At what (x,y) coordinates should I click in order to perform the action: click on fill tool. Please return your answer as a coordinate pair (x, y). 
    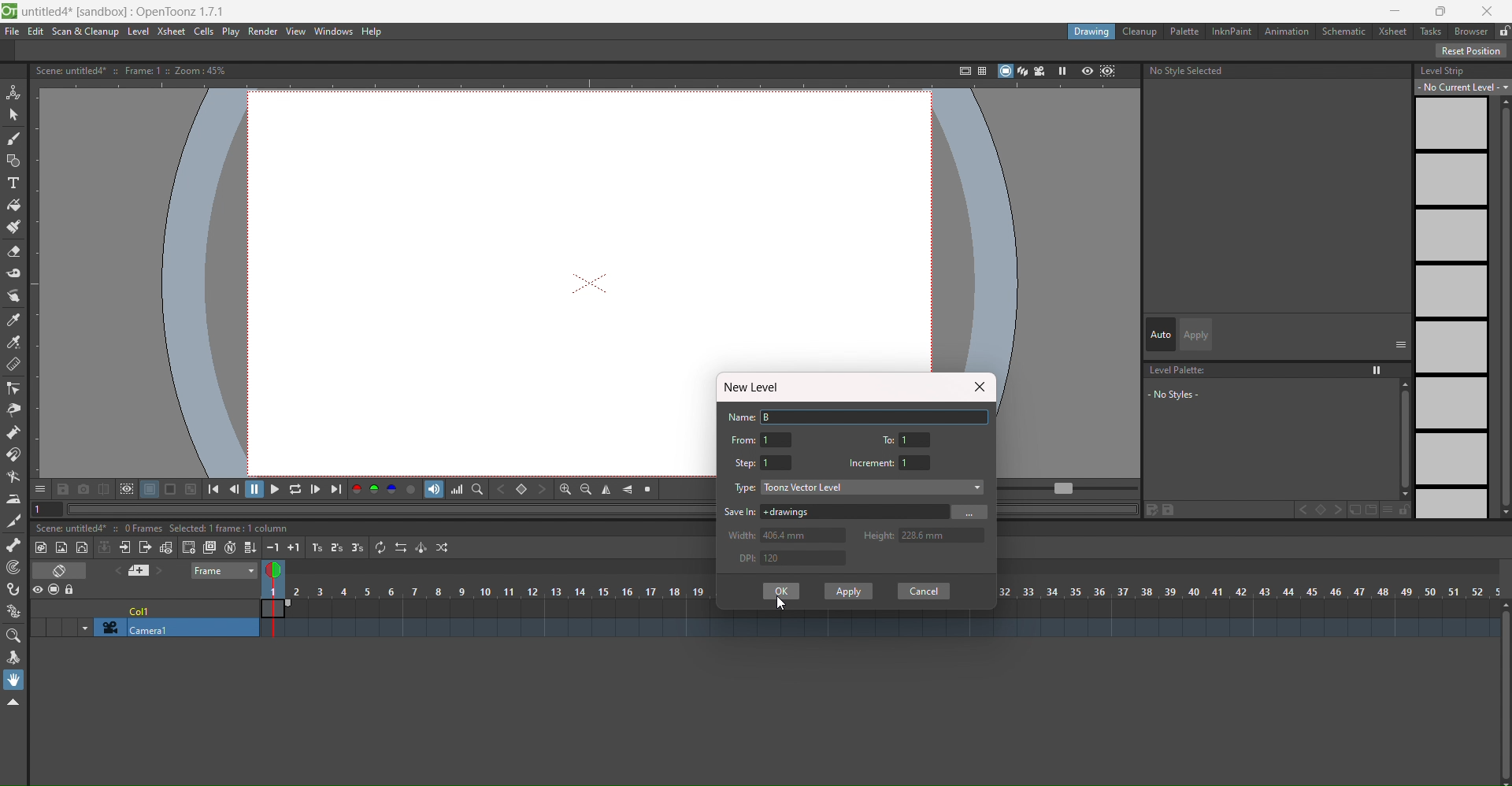
    Looking at the image, I should click on (14, 206).